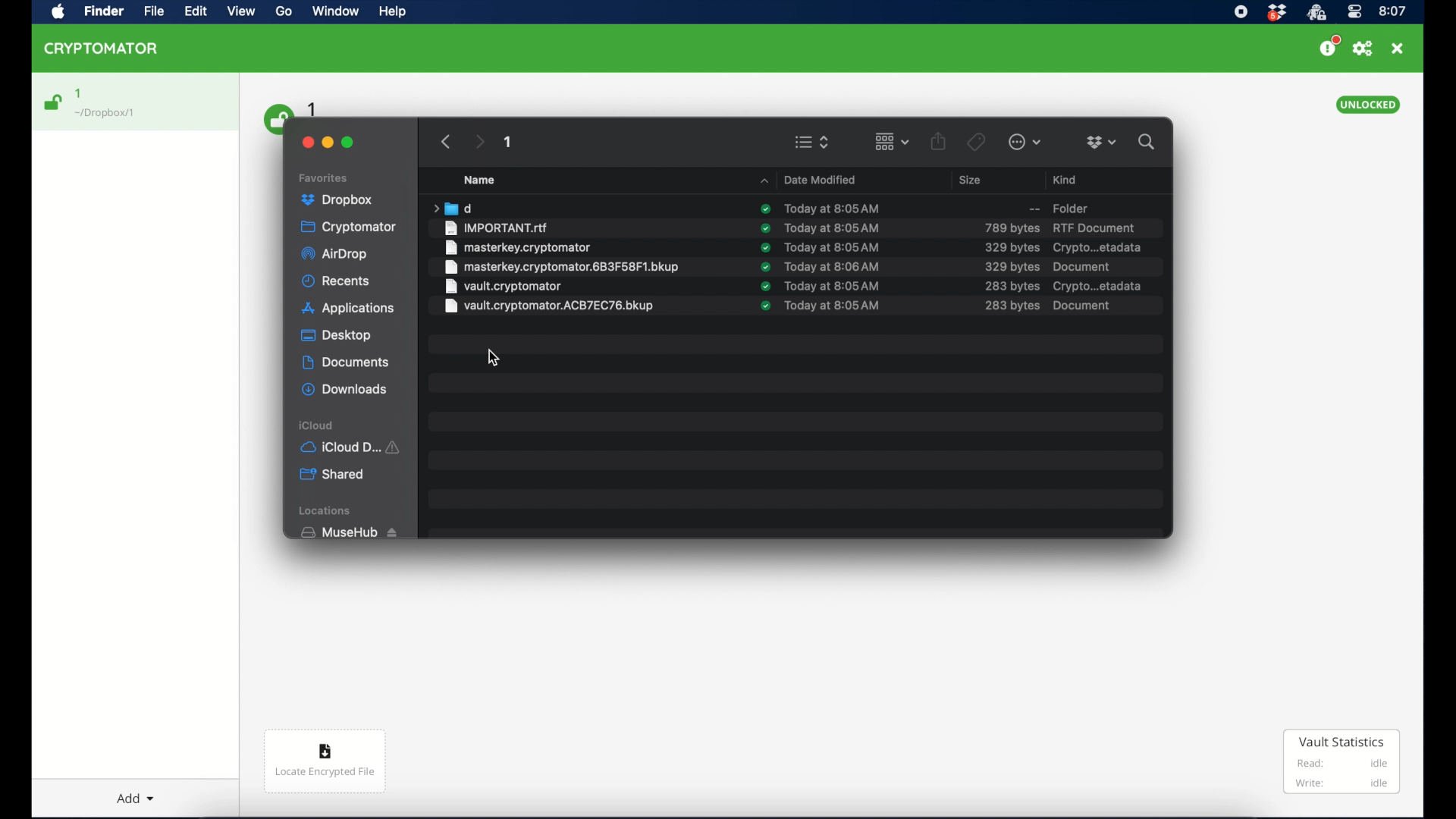 Image resolution: width=1456 pixels, height=819 pixels. I want to click on CRYPTOMATOR, so click(108, 51).